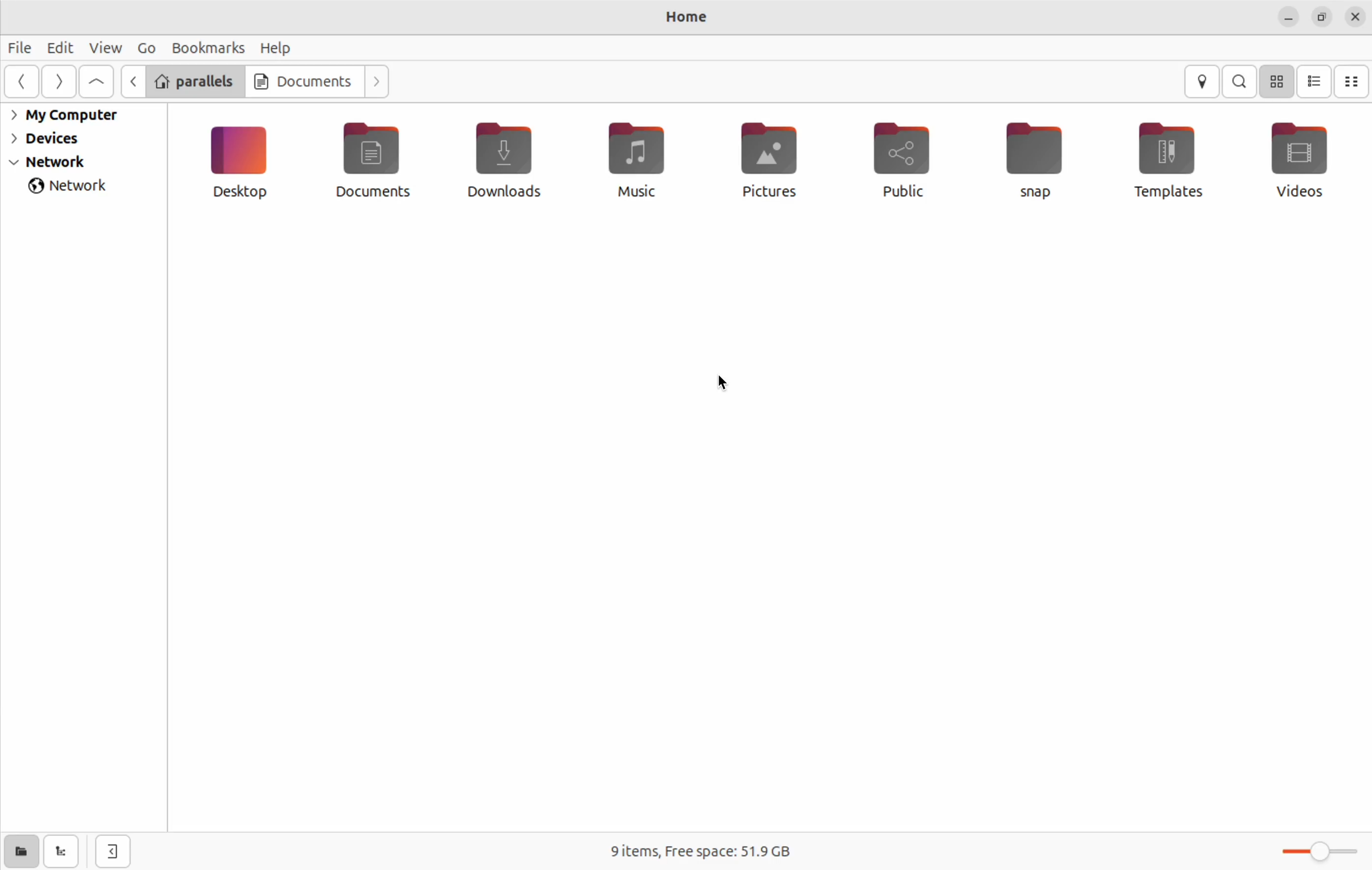 The image size is (1372, 870). Describe the element at coordinates (906, 165) in the screenshot. I see `public` at that location.